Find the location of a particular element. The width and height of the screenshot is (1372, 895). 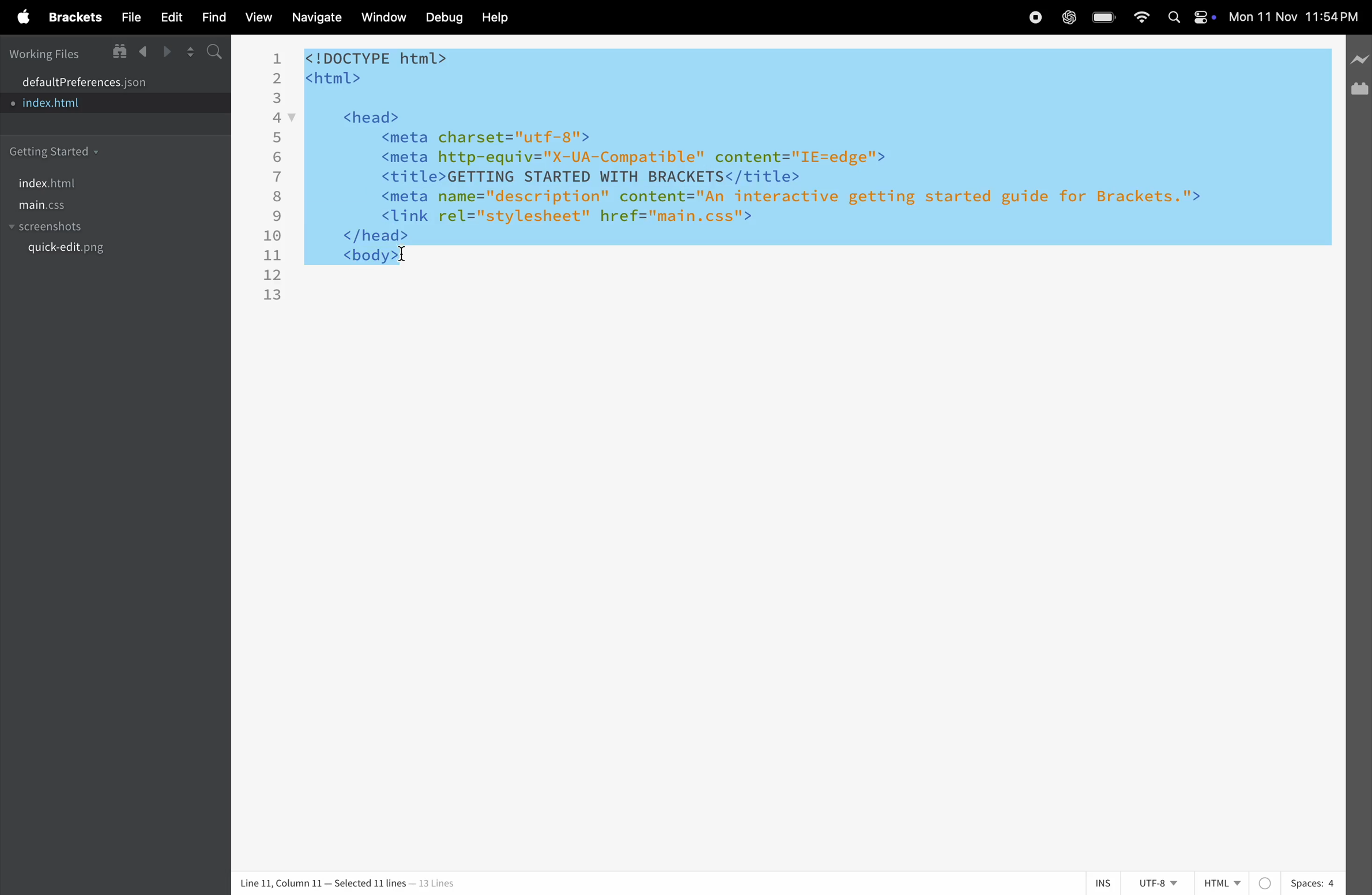

search is located at coordinates (212, 53).